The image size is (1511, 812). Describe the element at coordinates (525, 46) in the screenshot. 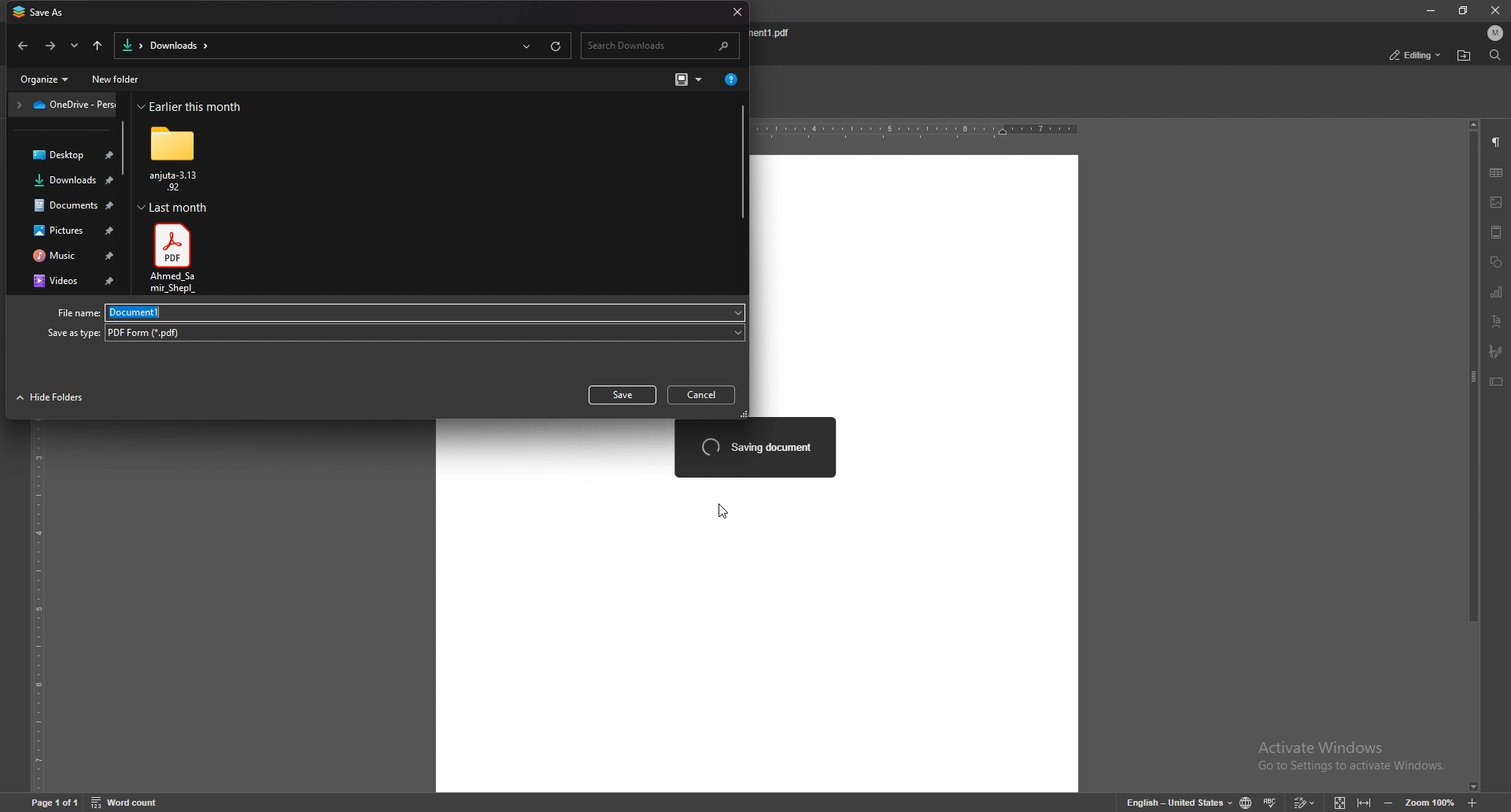

I see `recent` at that location.